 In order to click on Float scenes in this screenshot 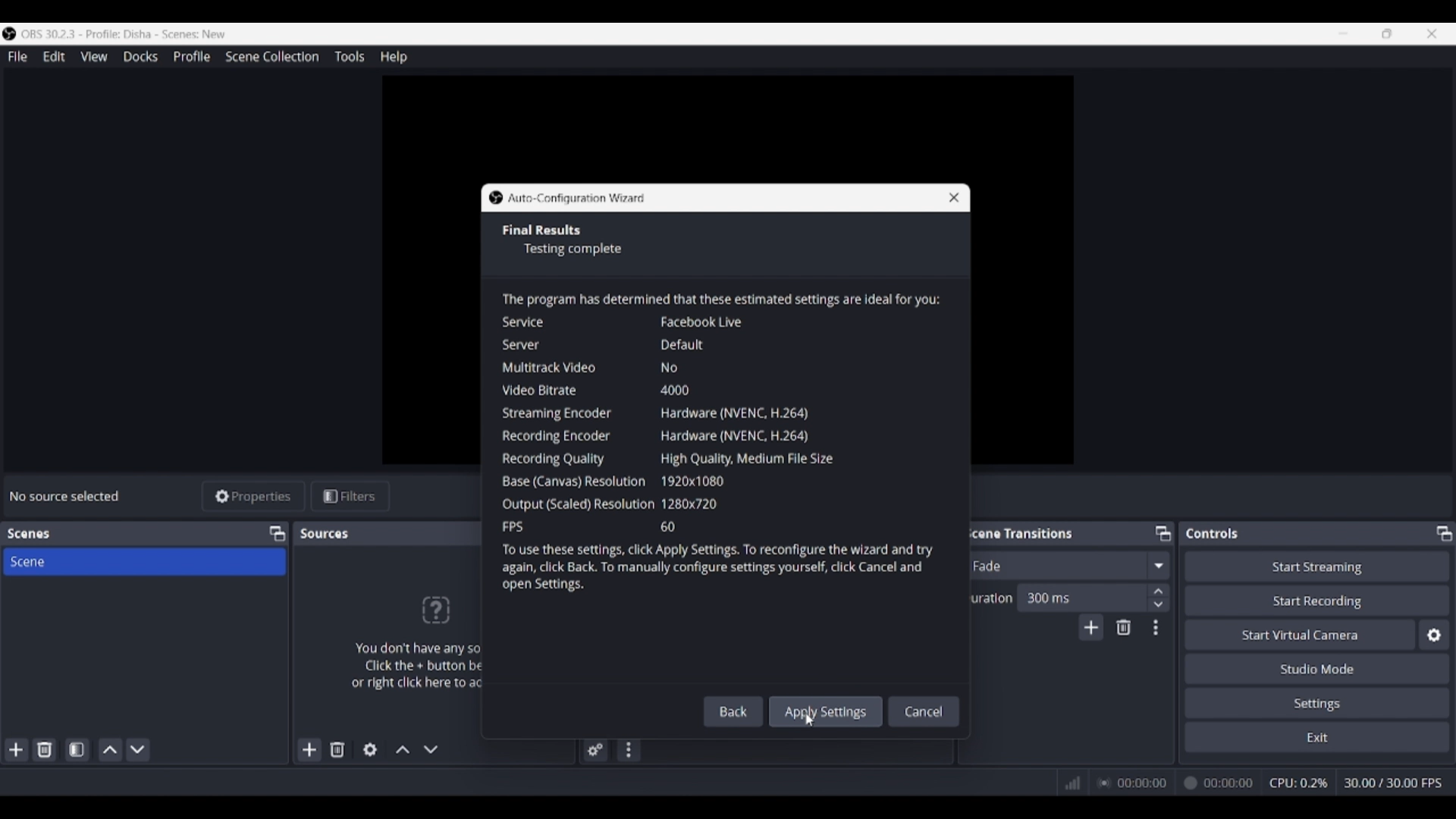, I will do `click(277, 534)`.